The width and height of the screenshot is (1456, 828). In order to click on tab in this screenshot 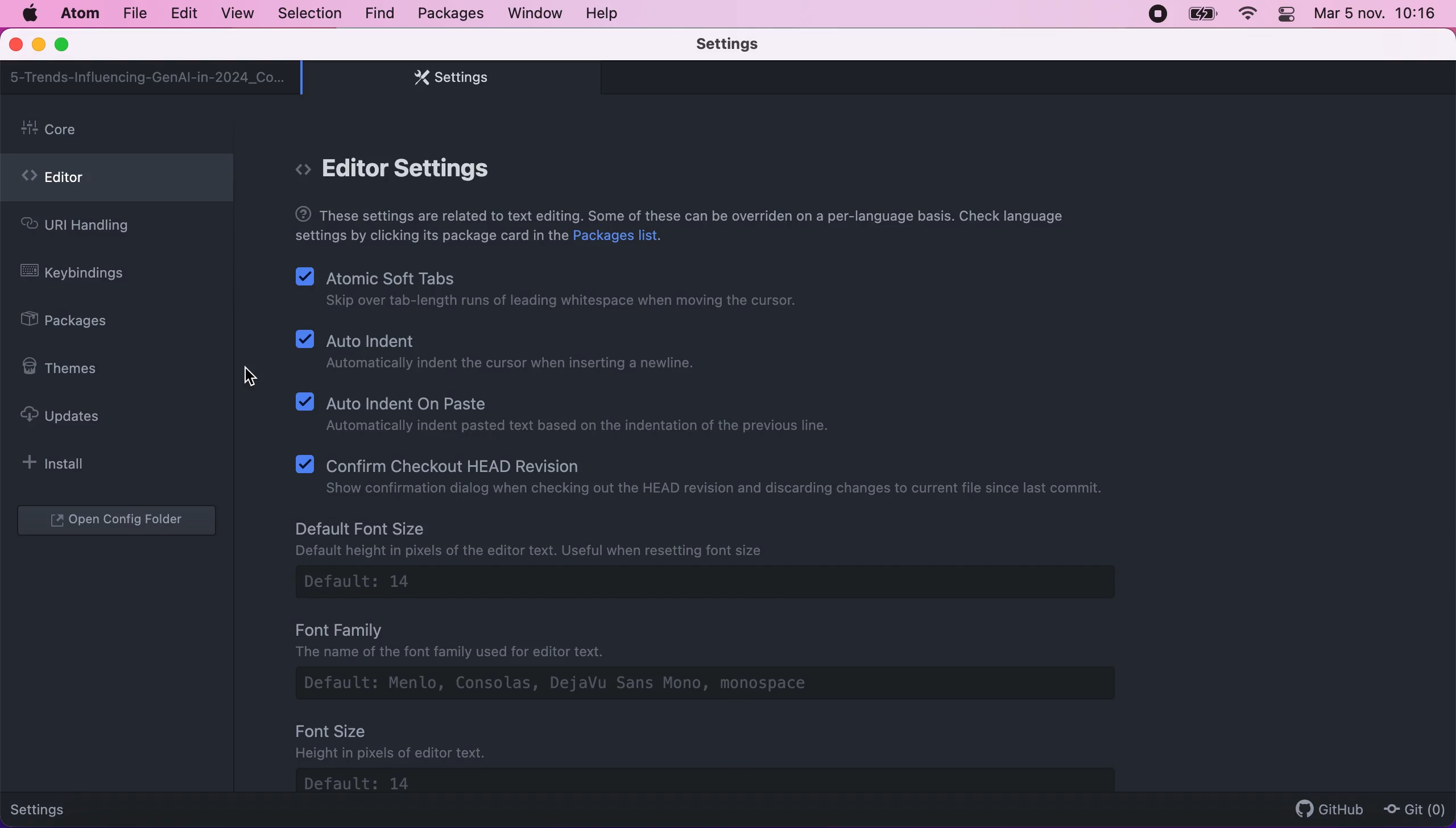, I will do `click(148, 77)`.